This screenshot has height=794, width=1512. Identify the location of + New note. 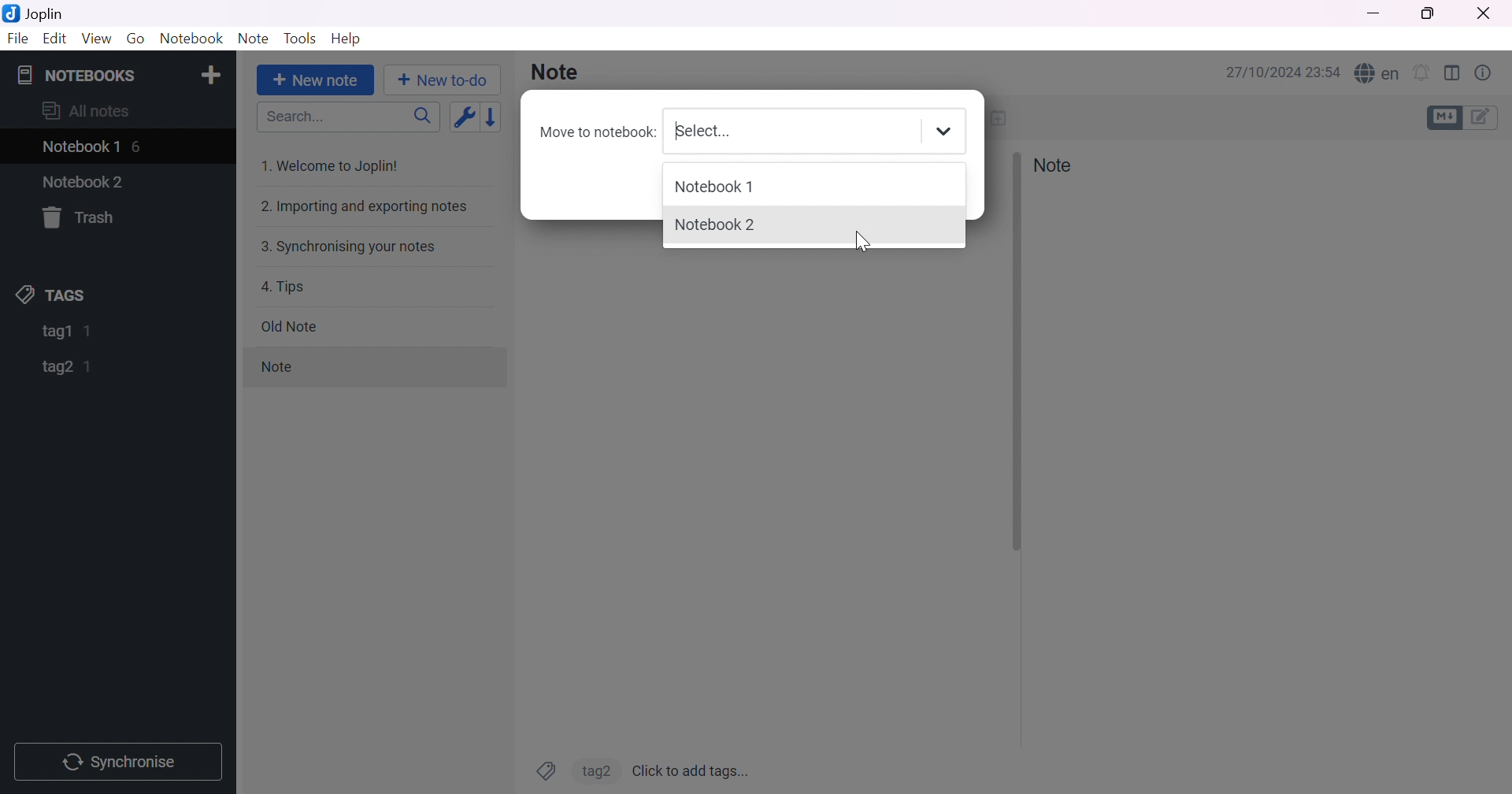
(315, 81).